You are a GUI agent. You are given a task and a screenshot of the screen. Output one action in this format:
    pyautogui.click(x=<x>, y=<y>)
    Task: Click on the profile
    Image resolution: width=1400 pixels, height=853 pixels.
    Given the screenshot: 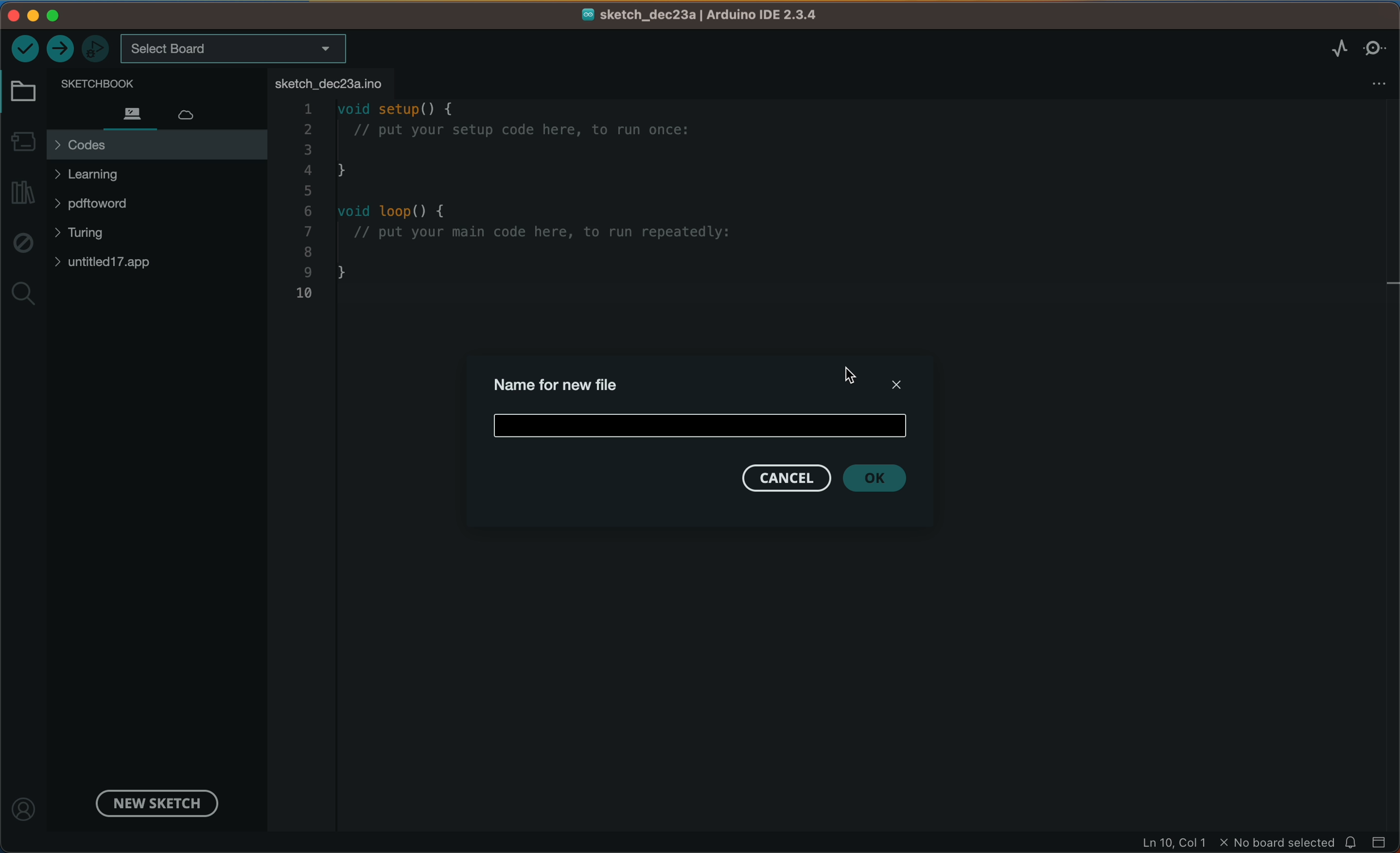 What is the action you would take?
    pyautogui.click(x=26, y=803)
    